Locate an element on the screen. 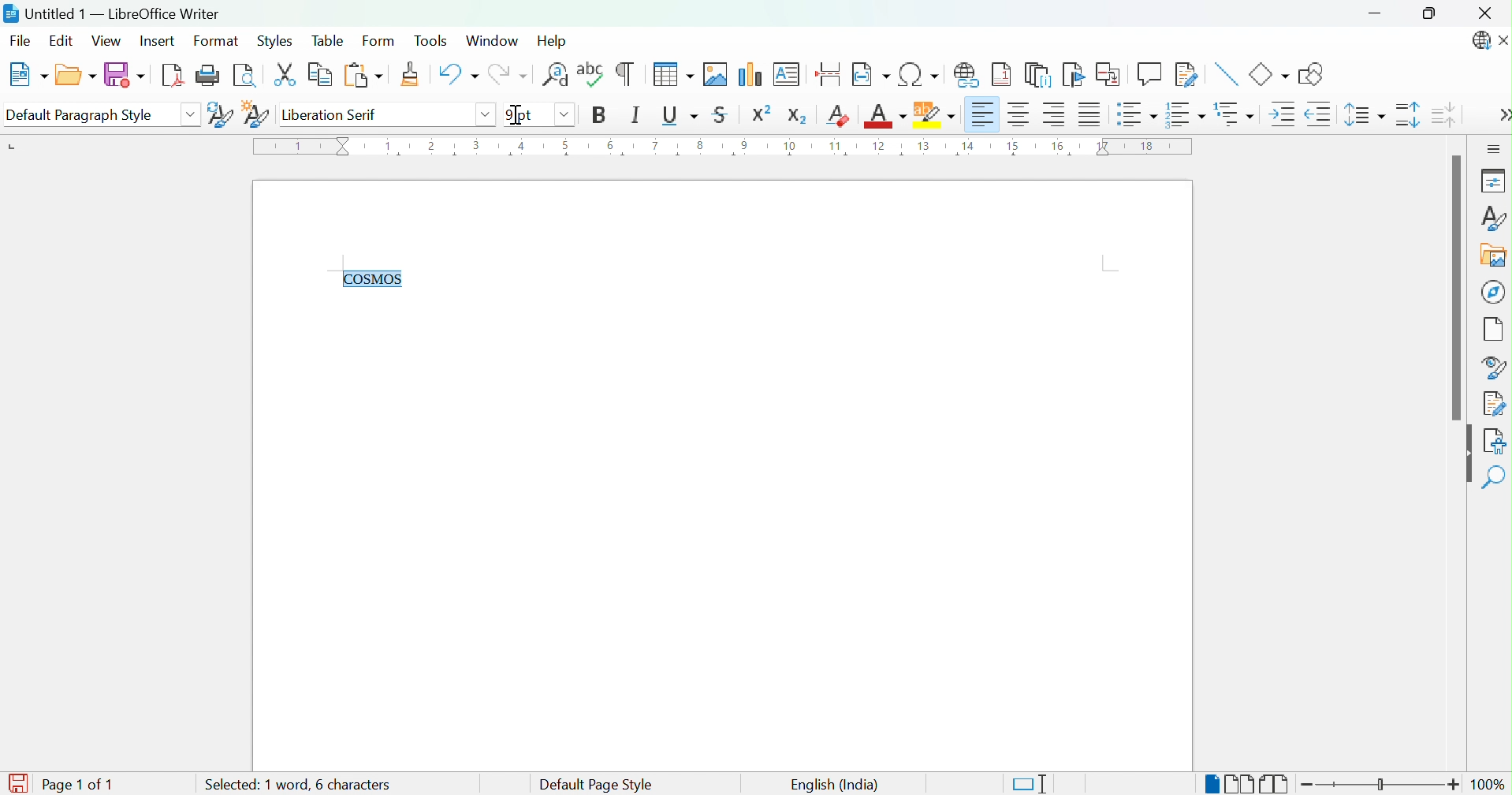 This screenshot has height=795, width=1512. Italic is located at coordinates (635, 114).